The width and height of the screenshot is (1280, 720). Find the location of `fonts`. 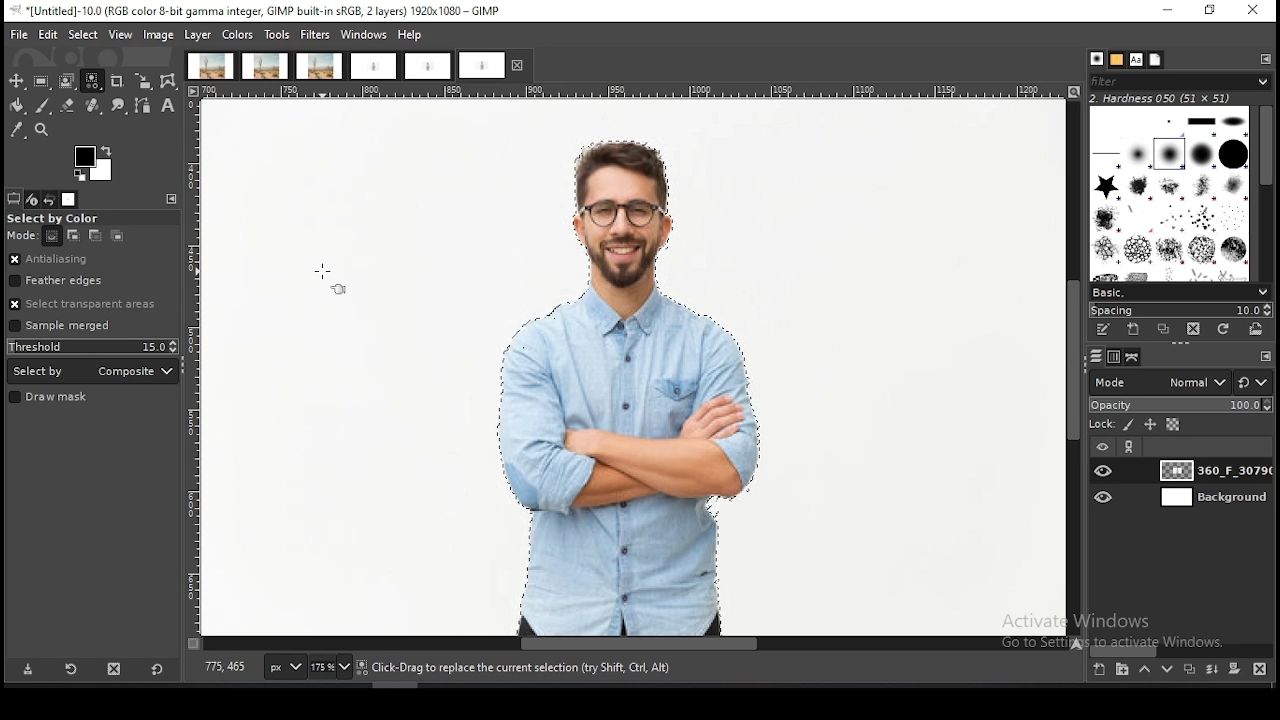

fonts is located at coordinates (1136, 60).